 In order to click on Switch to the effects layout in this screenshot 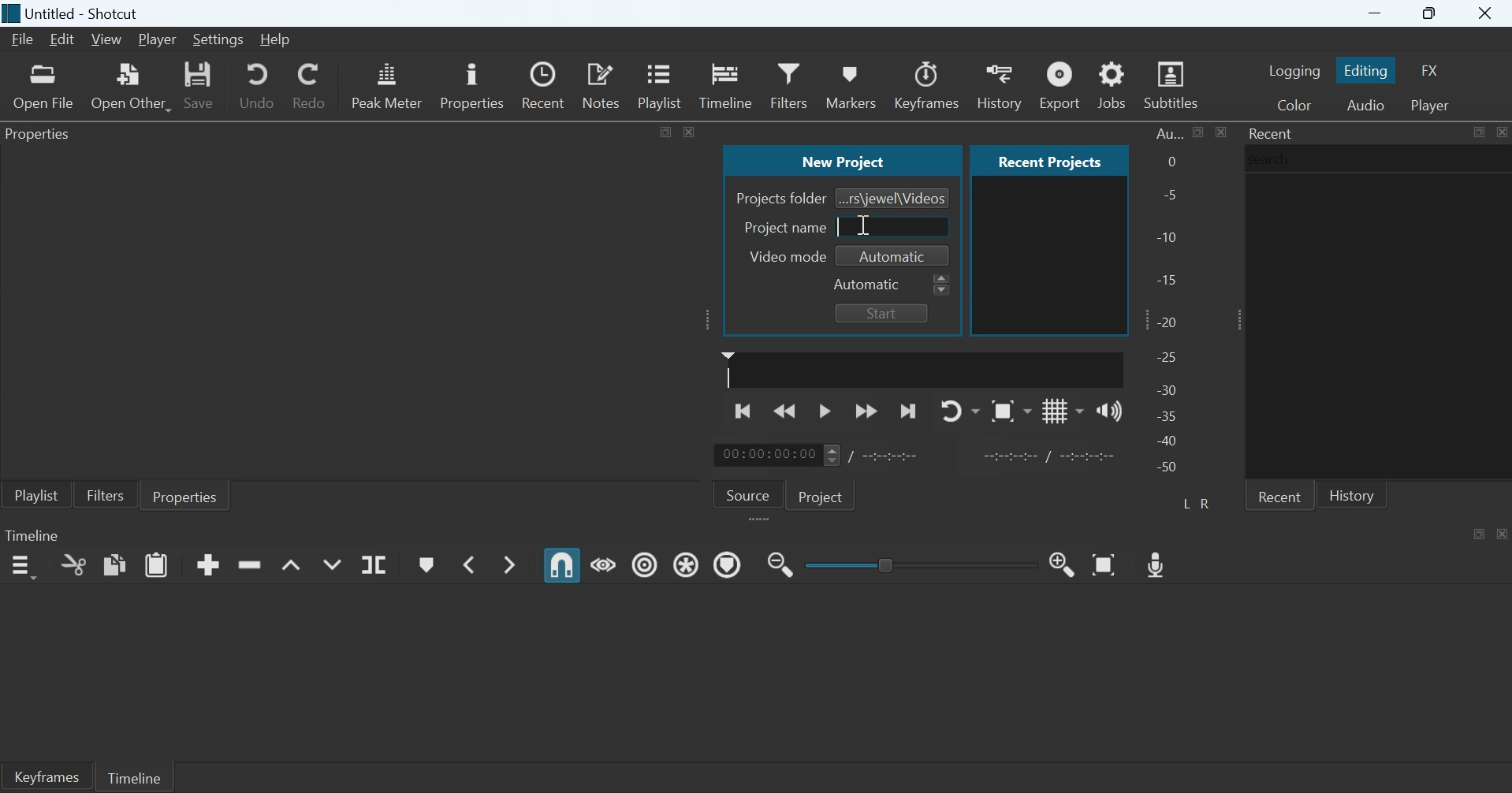, I will do `click(1431, 70)`.